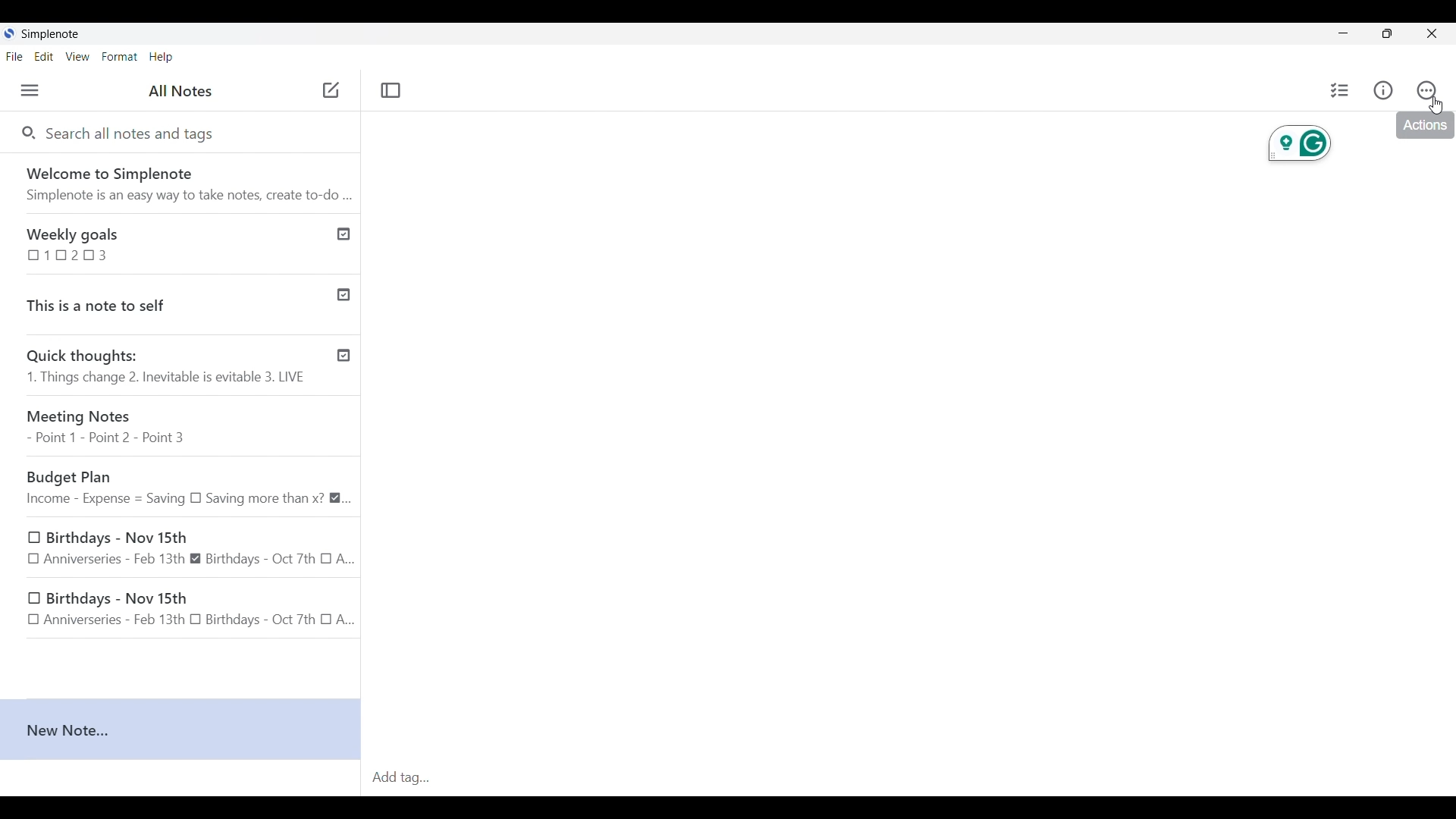  Describe the element at coordinates (1427, 89) in the screenshot. I see `Actions` at that location.